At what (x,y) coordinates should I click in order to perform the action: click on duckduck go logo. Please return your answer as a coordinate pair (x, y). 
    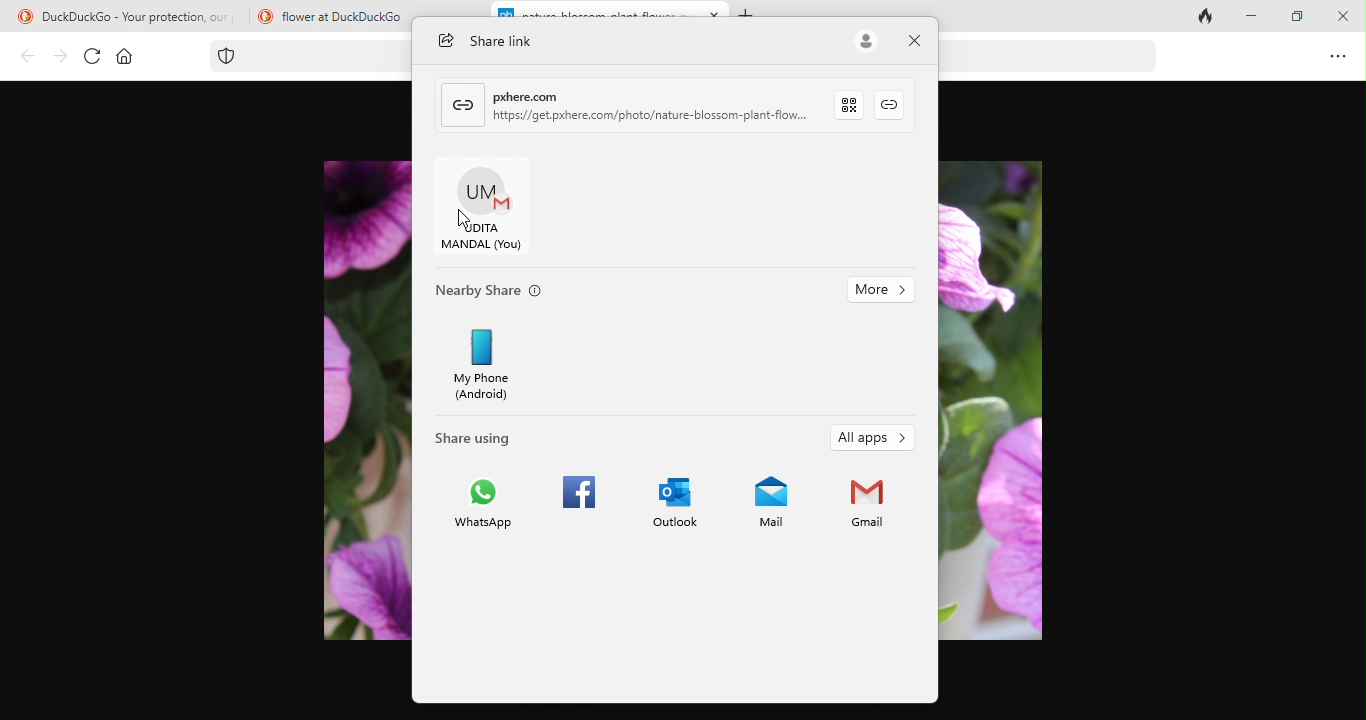
    Looking at the image, I should click on (263, 15).